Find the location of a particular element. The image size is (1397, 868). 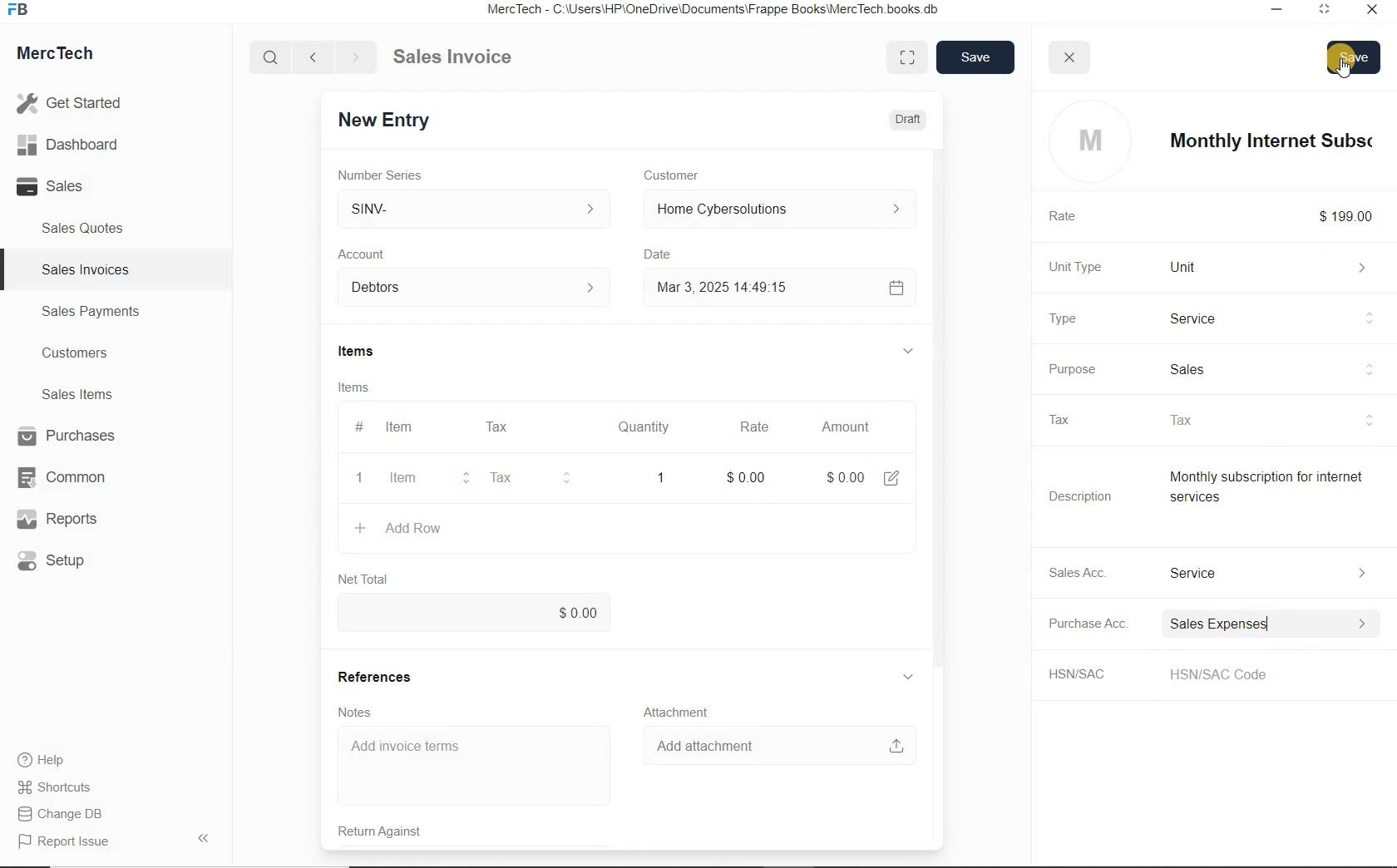

Customers is located at coordinates (90, 353).